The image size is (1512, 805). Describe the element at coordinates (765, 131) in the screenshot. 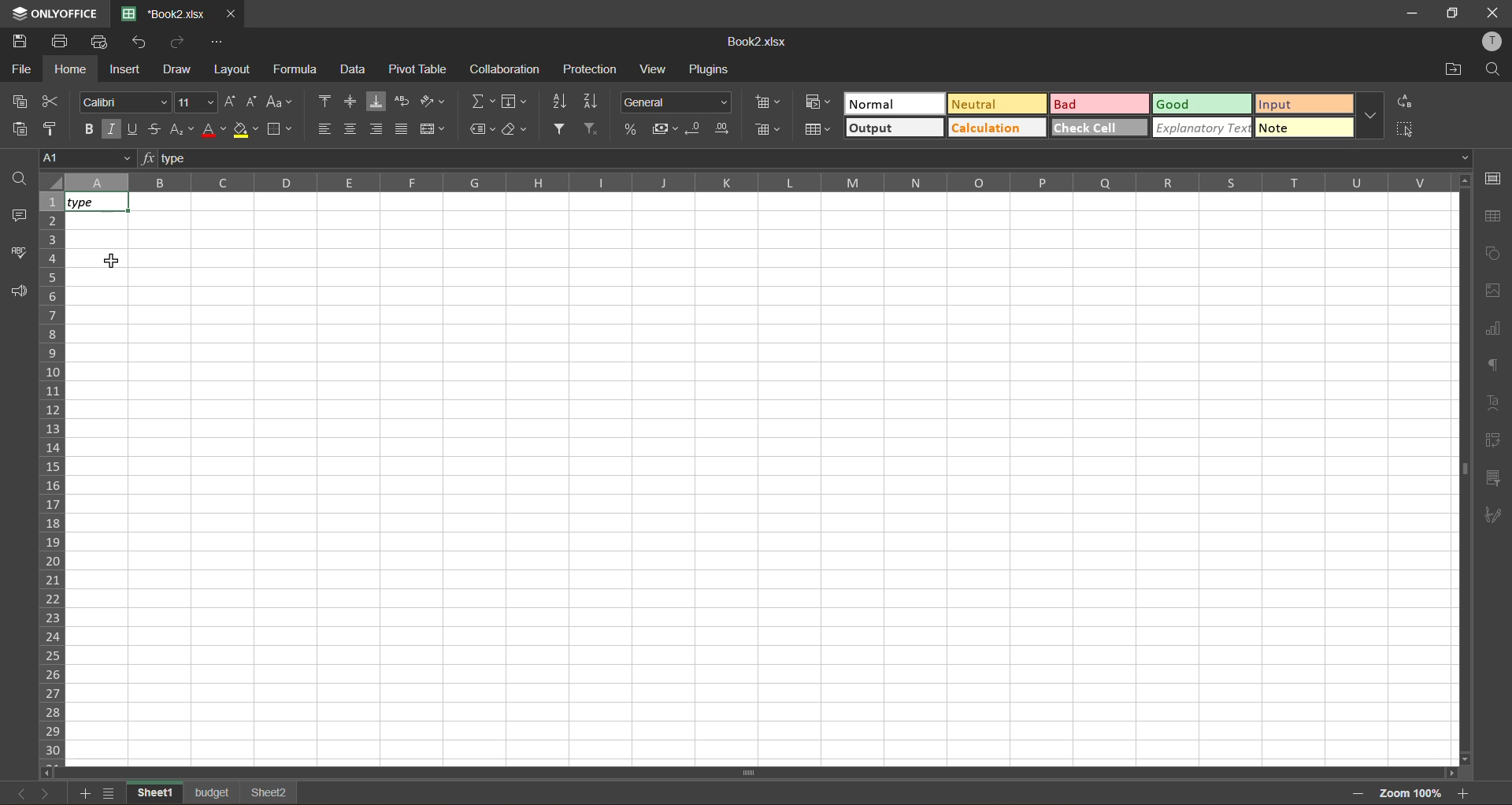

I see `delete cells` at that location.